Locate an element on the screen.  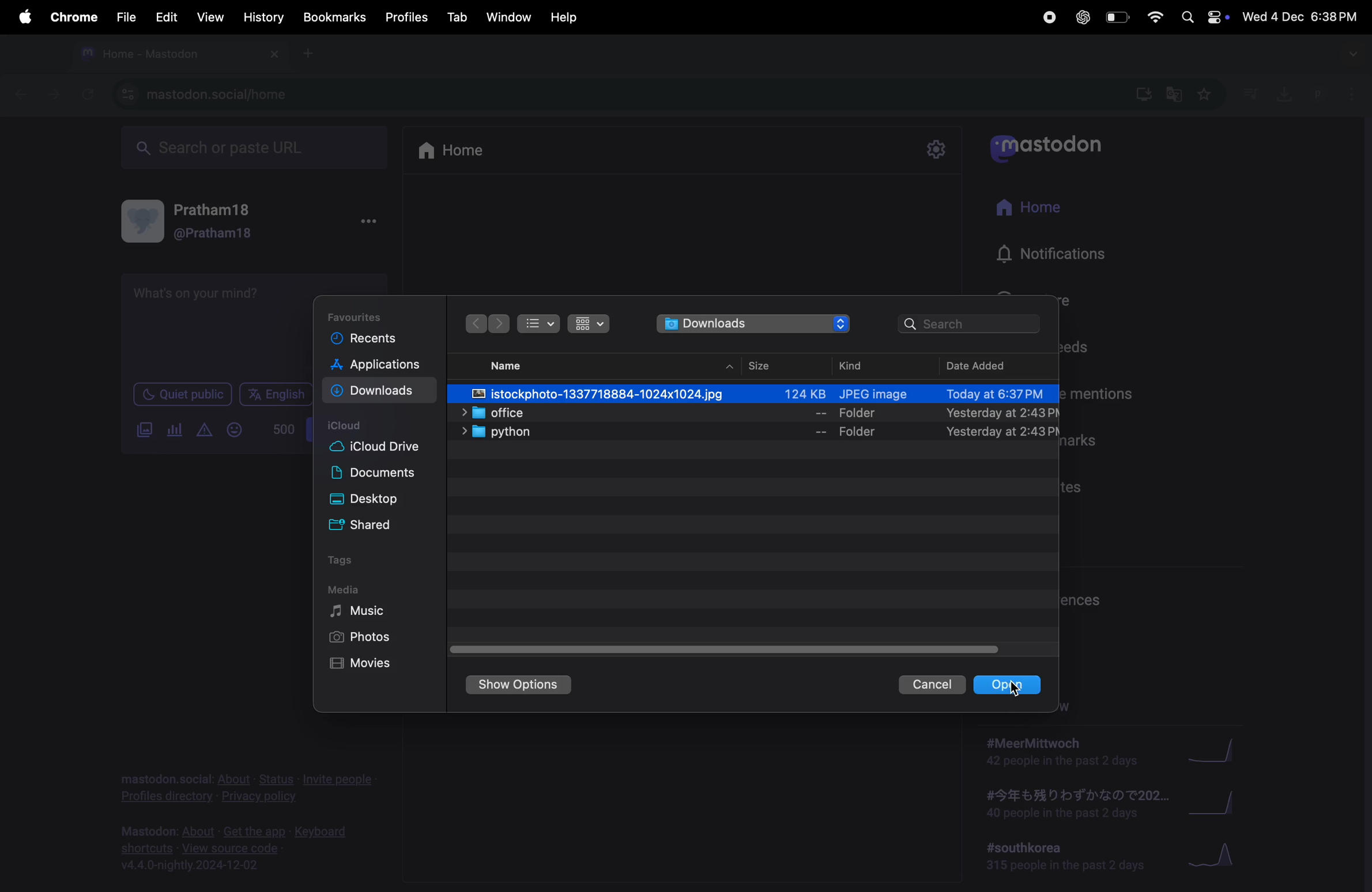
edit is located at coordinates (166, 16).